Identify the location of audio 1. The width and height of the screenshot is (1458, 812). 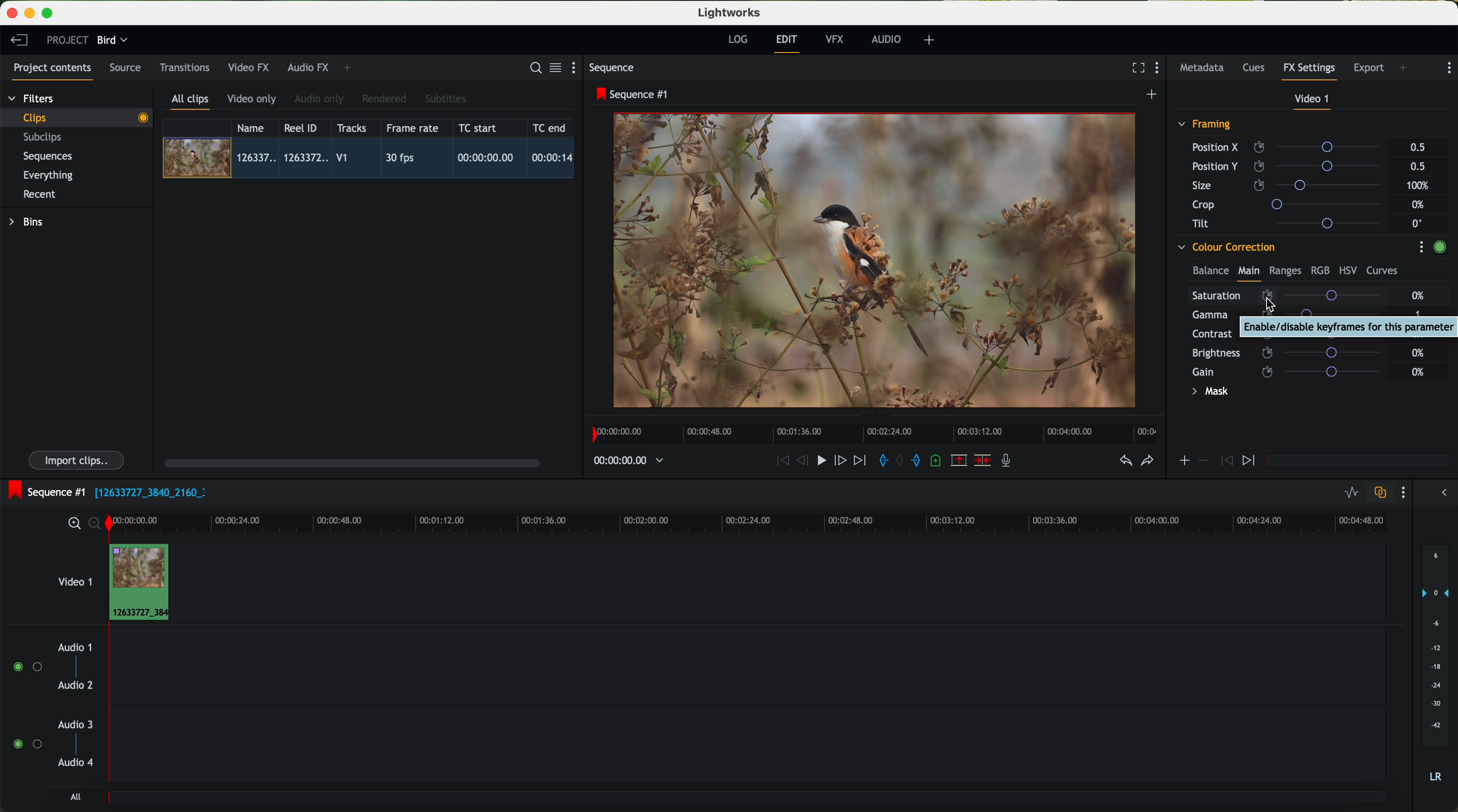
(75, 647).